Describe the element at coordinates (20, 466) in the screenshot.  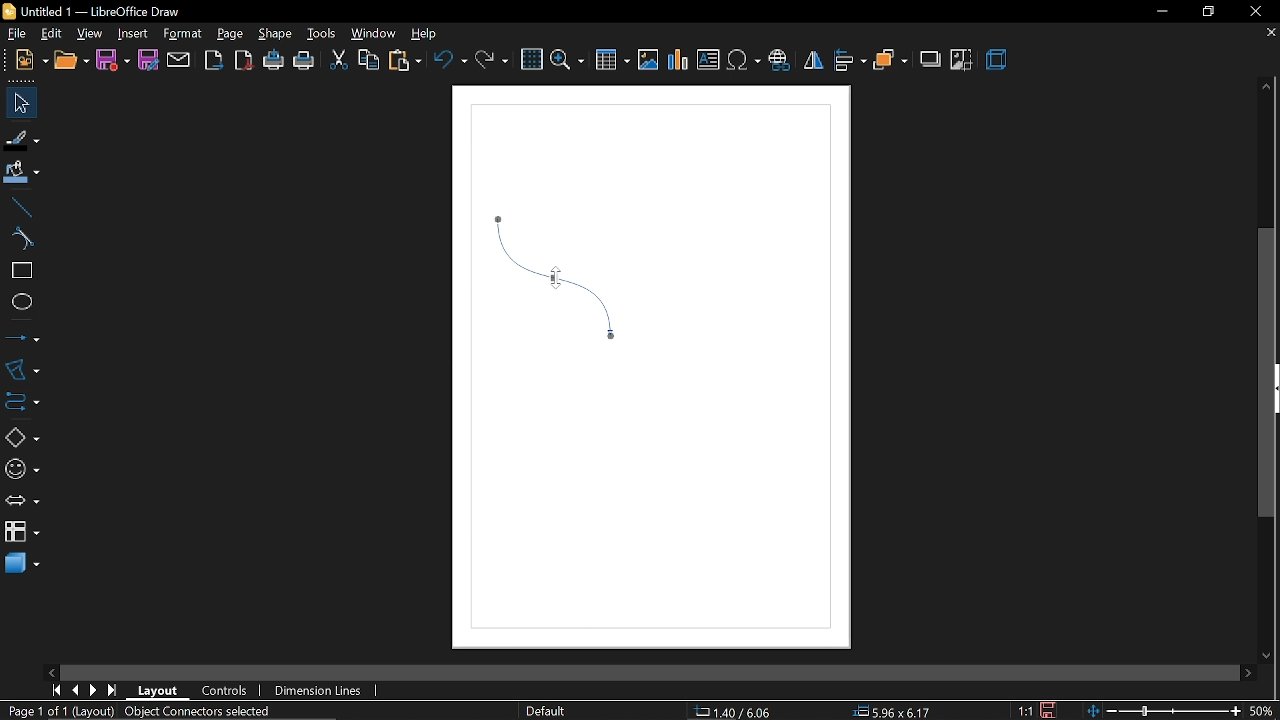
I see `symbol shapes` at that location.